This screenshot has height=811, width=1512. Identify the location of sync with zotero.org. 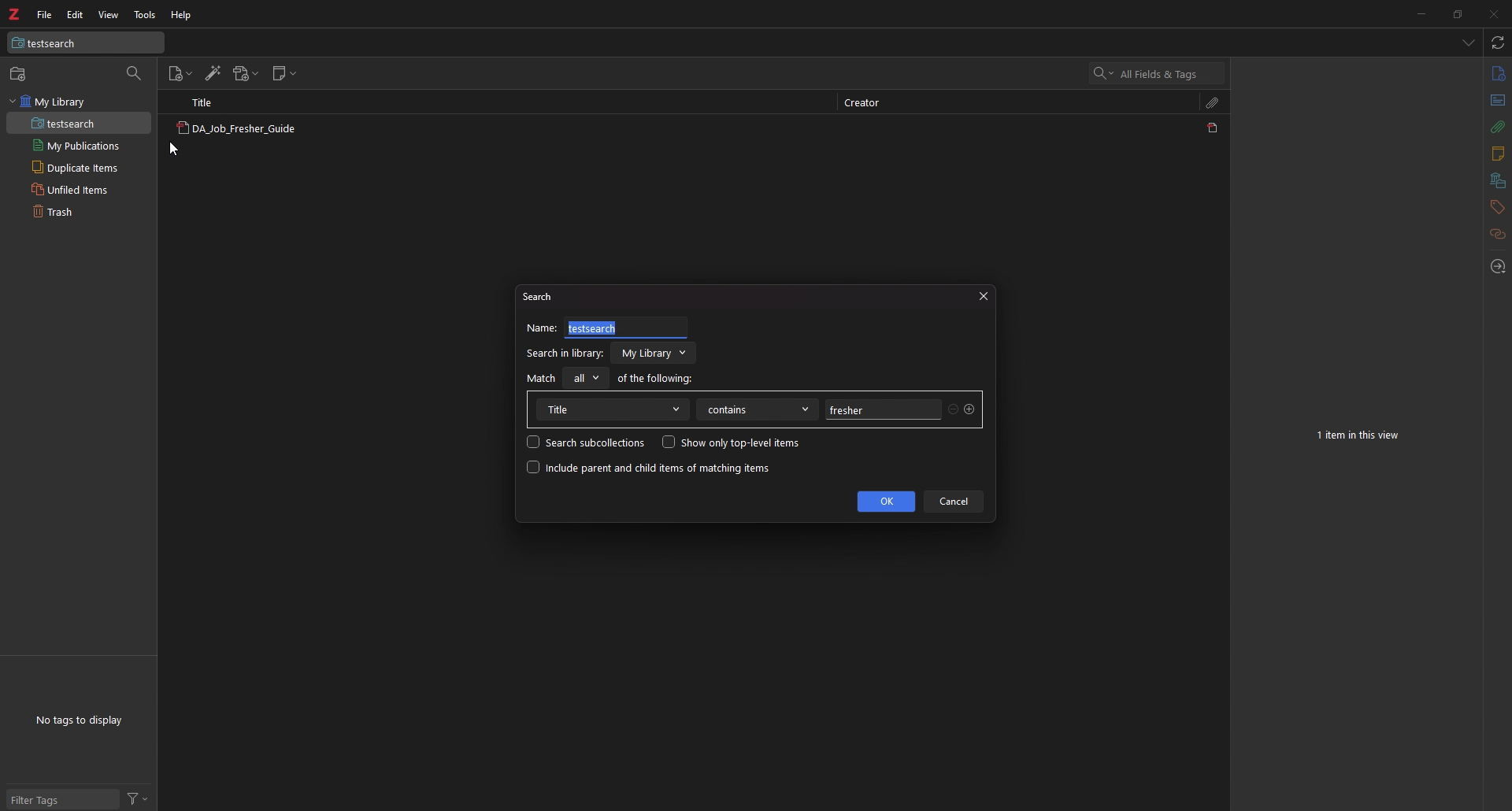
(1499, 42).